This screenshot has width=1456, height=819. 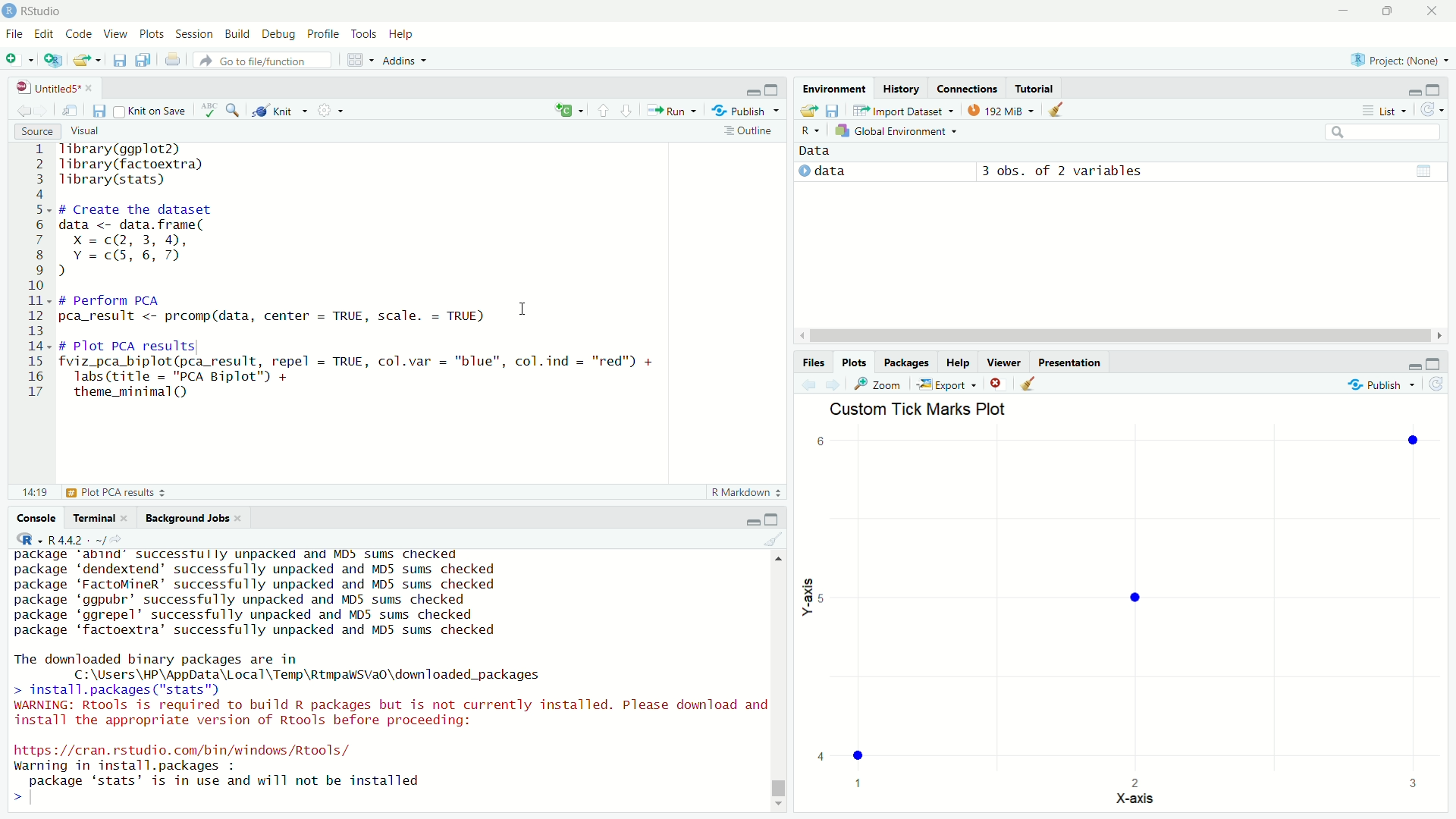 I want to click on go to file/function, so click(x=264, y=60).